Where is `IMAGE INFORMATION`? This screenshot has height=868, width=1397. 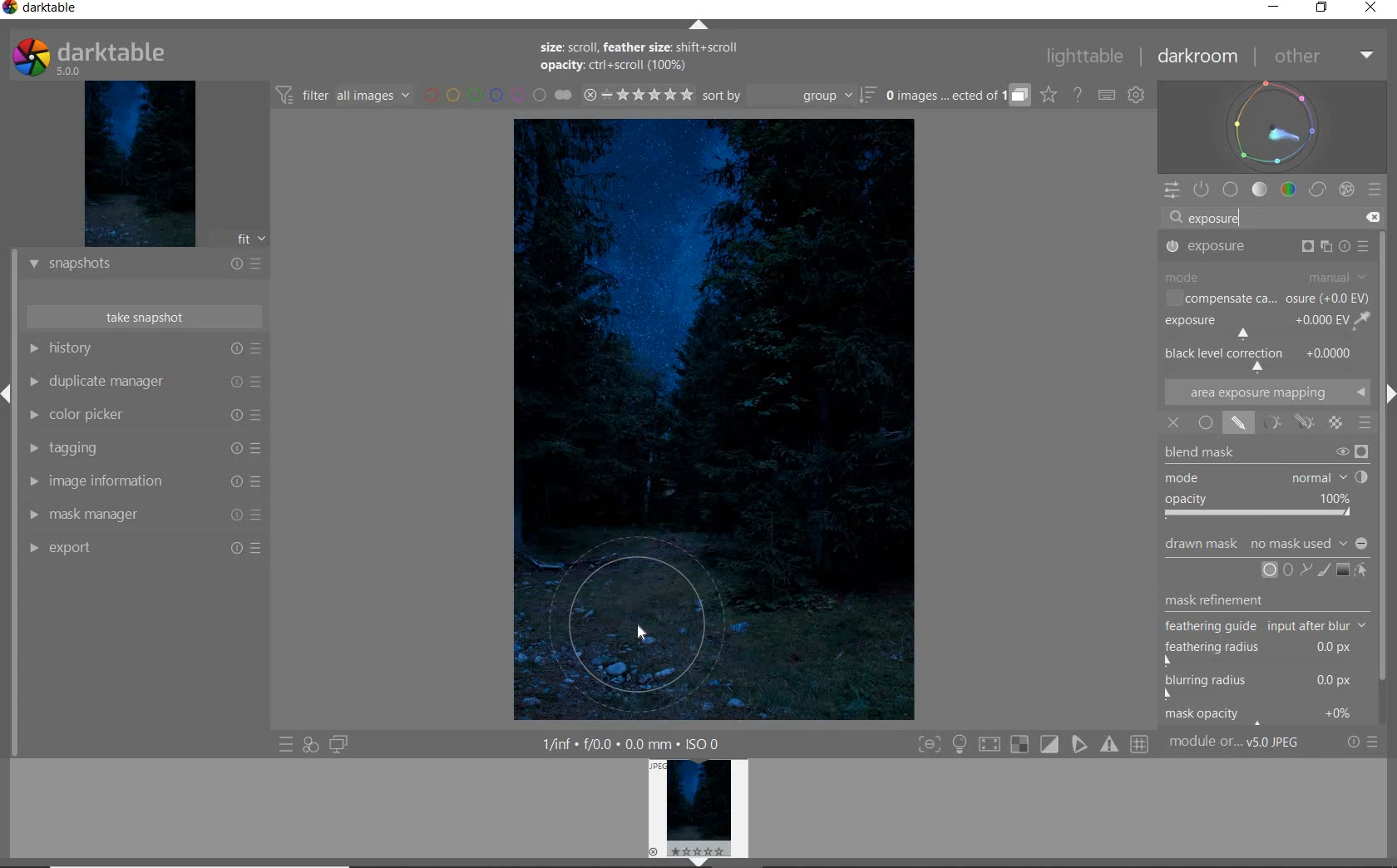 IMAGE INFORMATION is located at coordinates (141, 482).